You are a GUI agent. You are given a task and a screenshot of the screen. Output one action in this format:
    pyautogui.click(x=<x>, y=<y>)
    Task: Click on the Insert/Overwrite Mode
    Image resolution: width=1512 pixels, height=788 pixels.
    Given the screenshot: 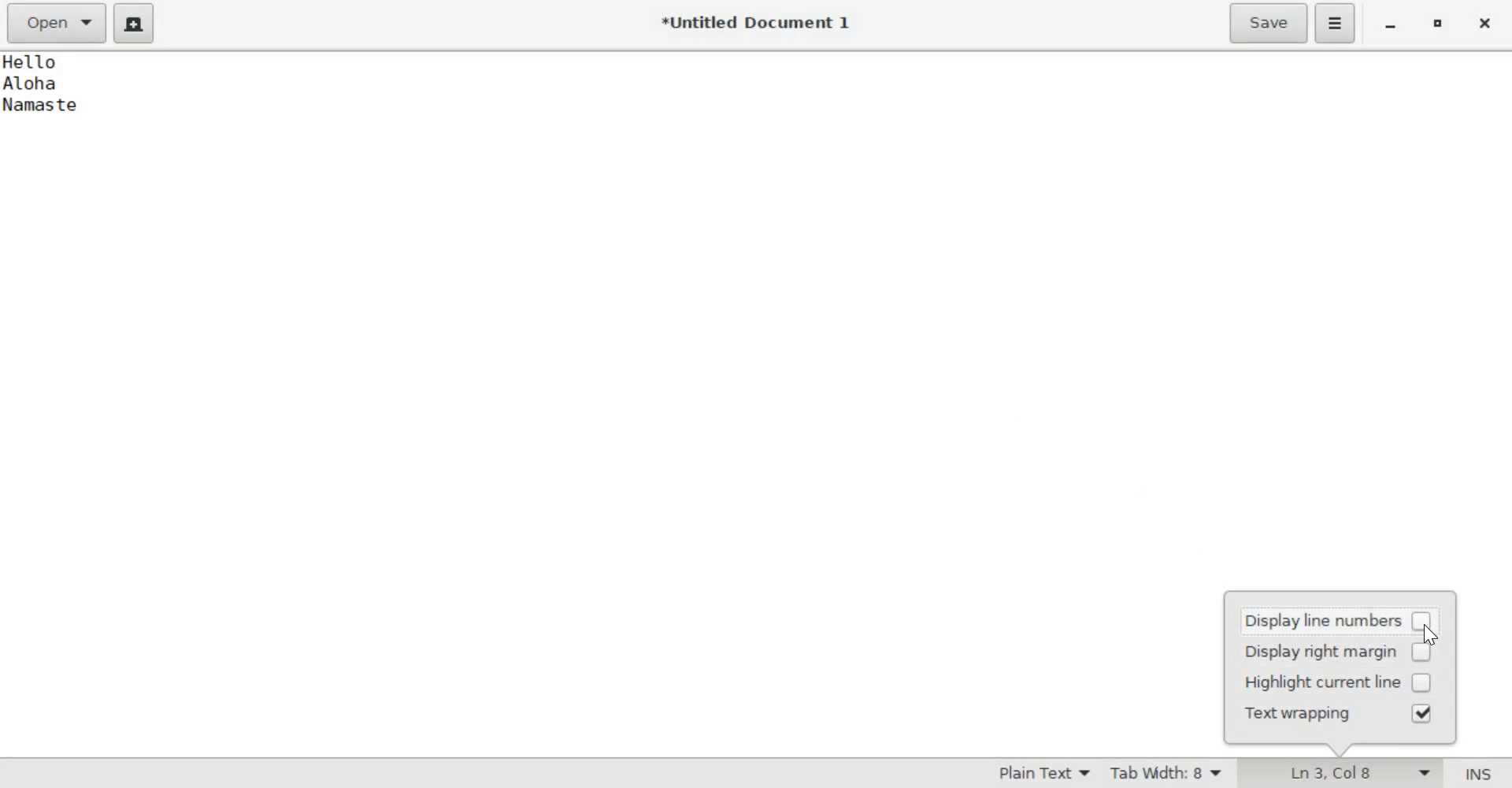 What is the action you would take?
    pyautogui.click(x=1478, y=772)
    